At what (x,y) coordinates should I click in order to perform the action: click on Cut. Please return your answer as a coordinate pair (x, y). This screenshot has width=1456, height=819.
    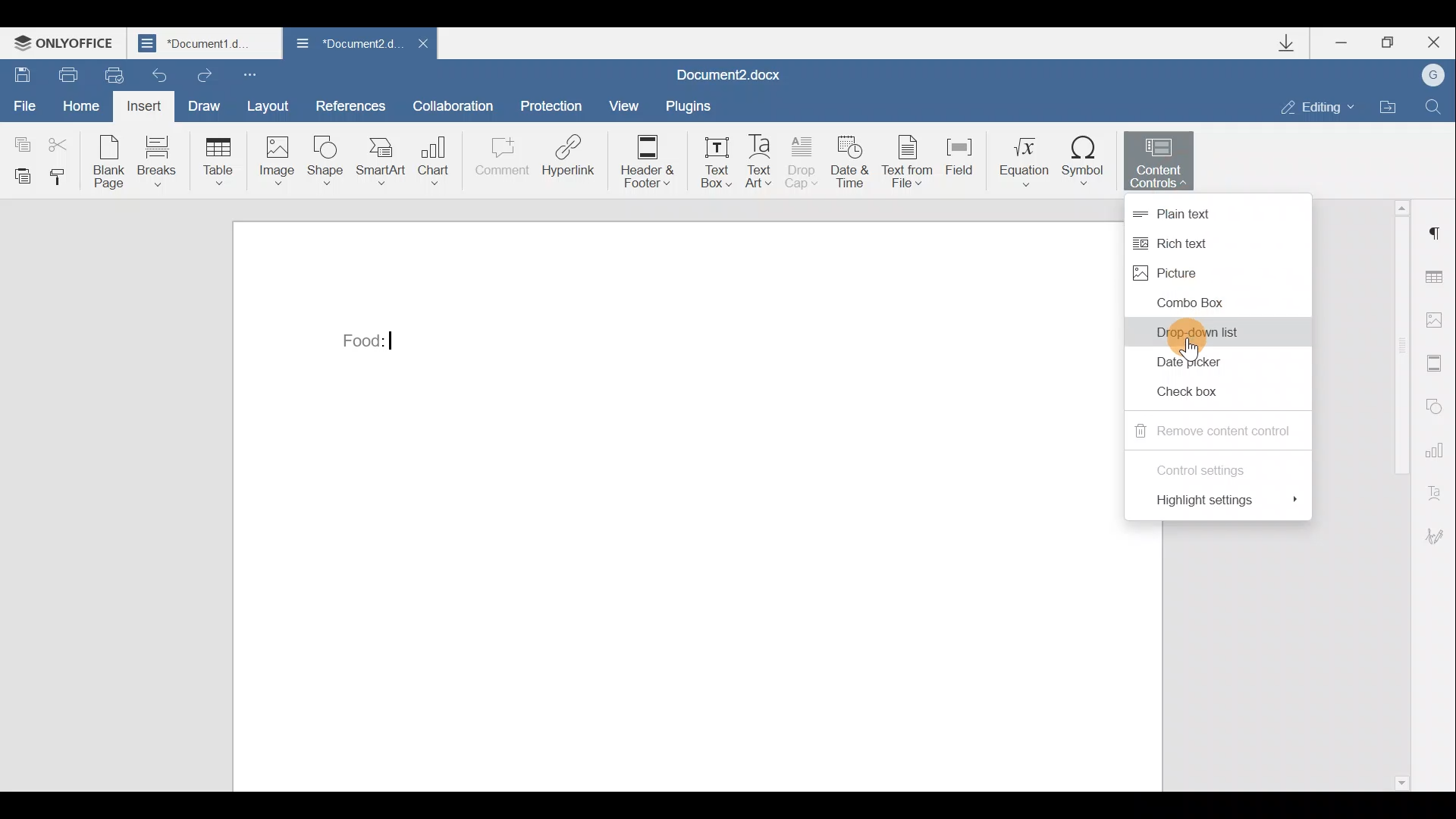
    Looking at the image, I should click on (67, 142).